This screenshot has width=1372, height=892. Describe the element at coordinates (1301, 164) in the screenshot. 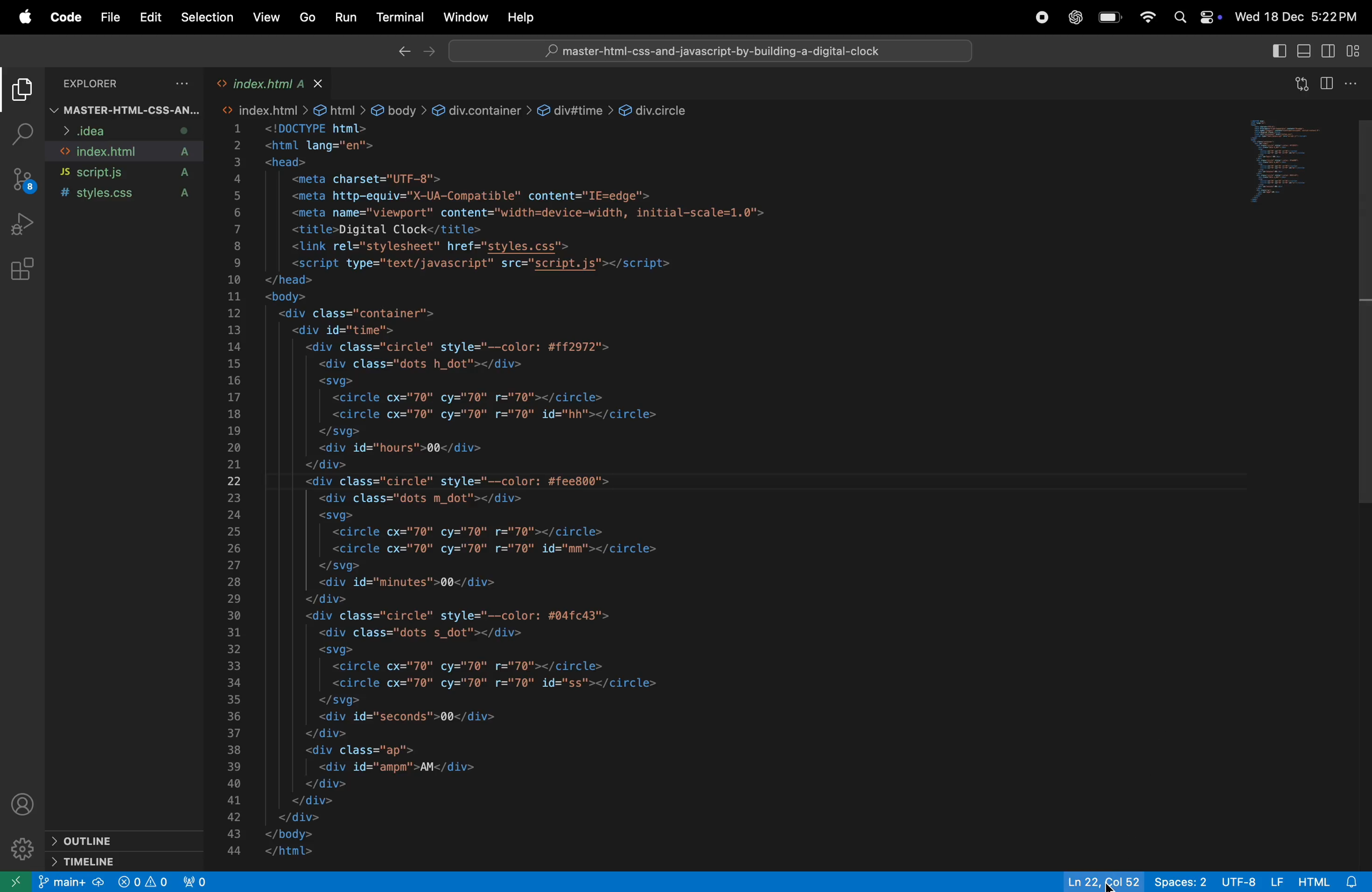

I see `code window` at that location.